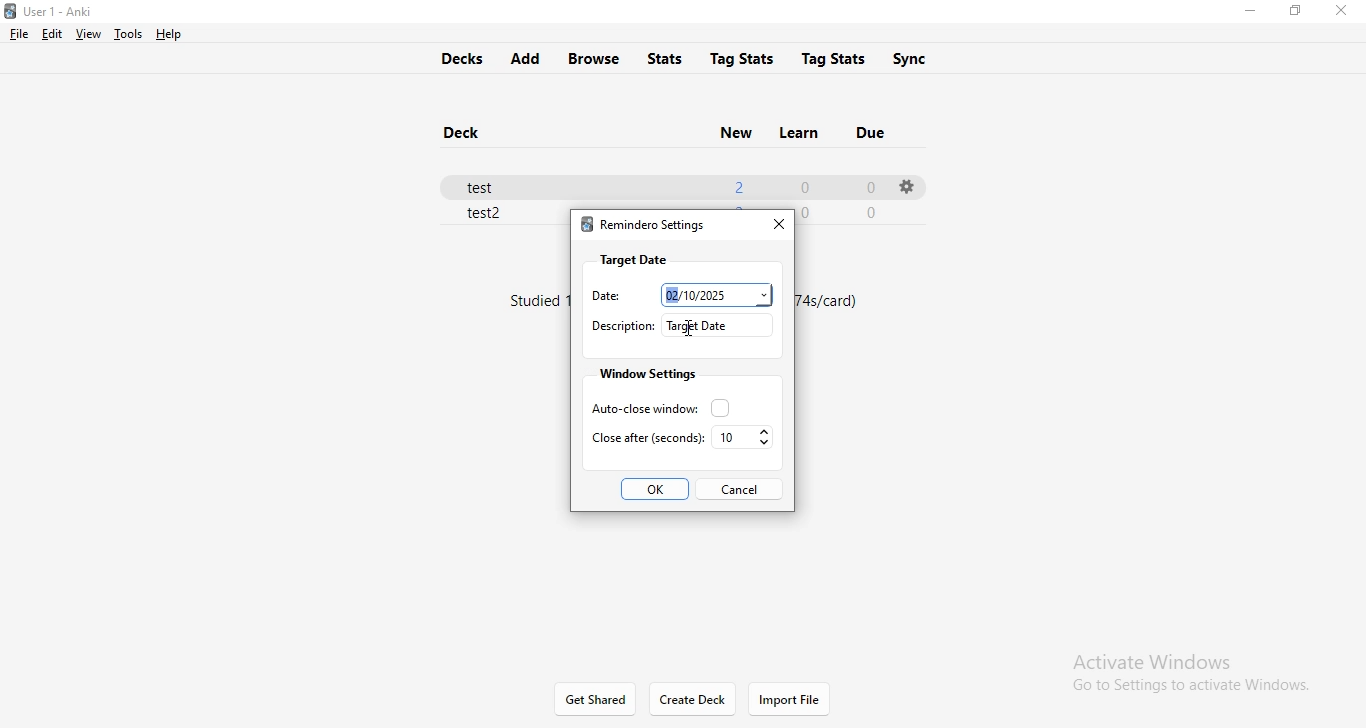  I want to click on file, so click(19, 34).